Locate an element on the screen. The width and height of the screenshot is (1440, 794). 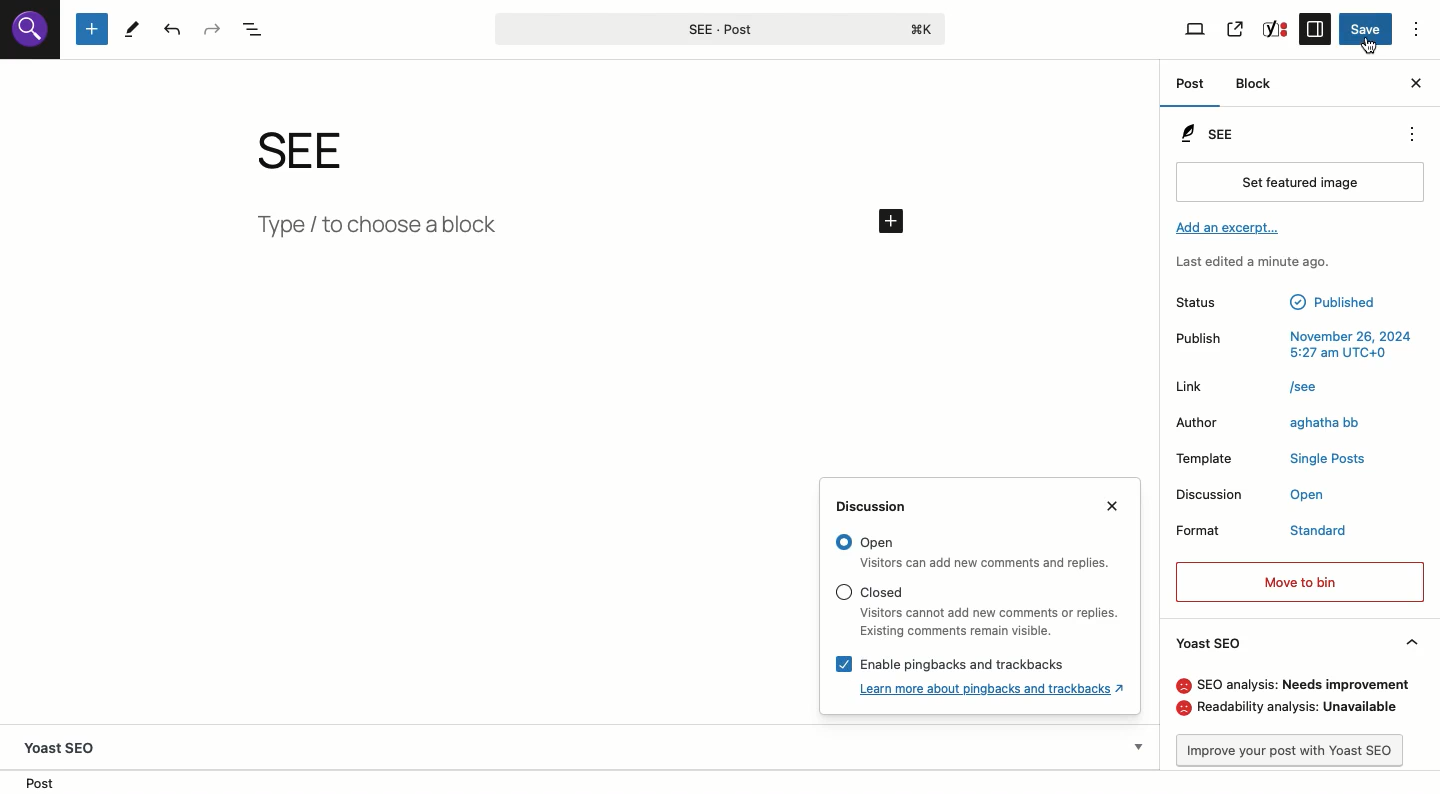
Block is located at coordinates (1257, 85).